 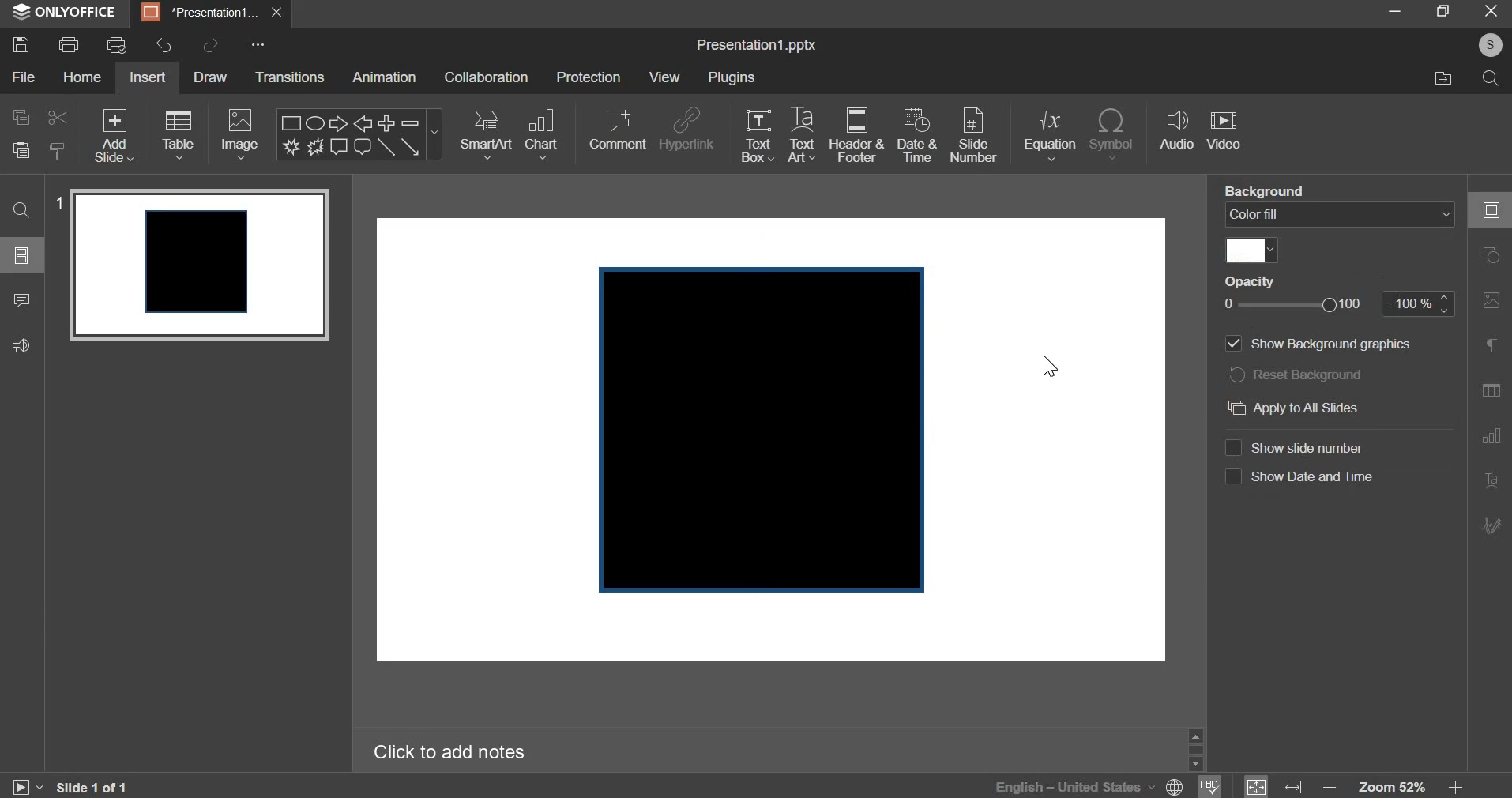 What do you see at coordinates (317, 122) in the screenshot?
I see `Circles` at bounding box center [317, 122].